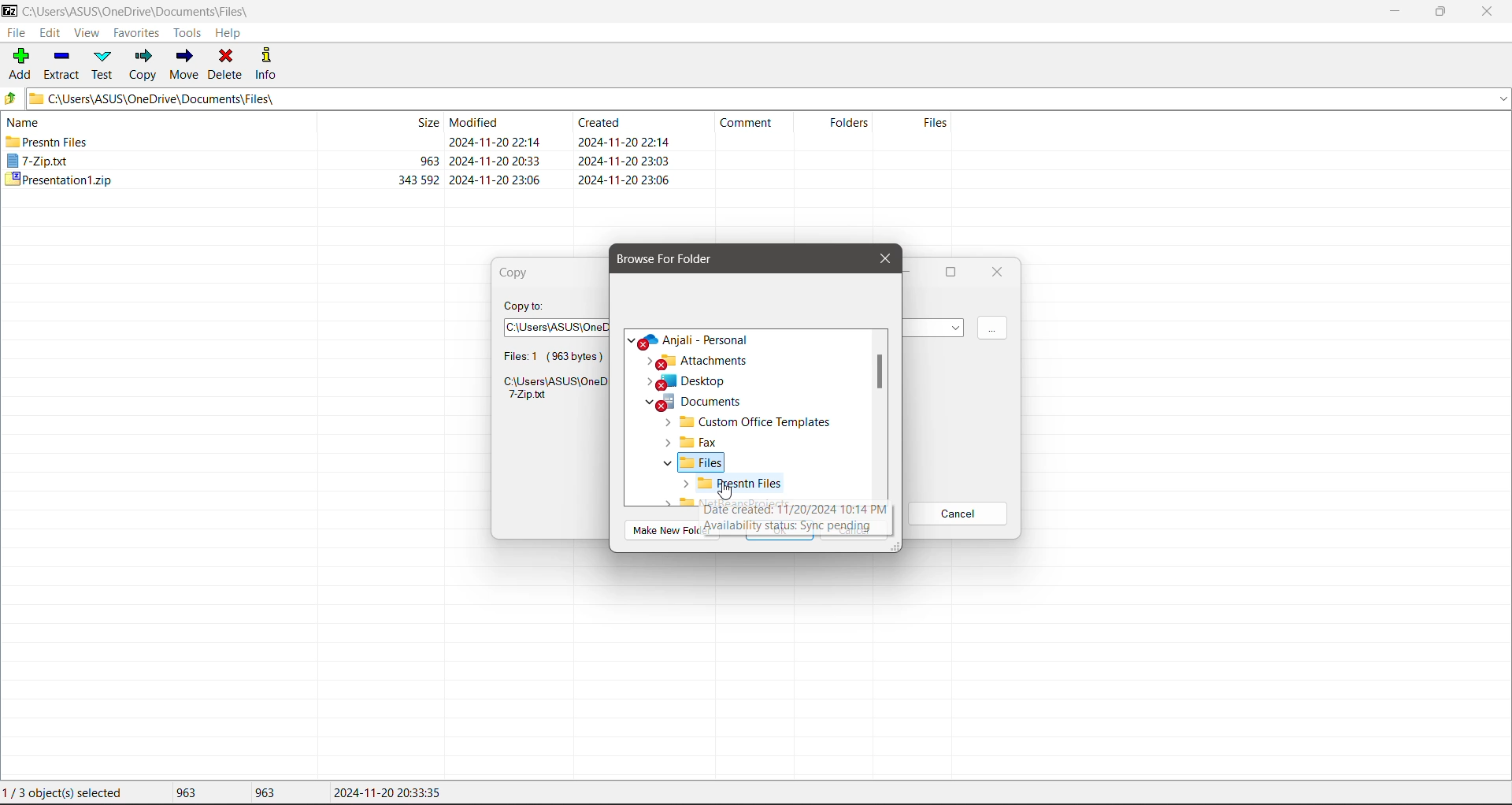 Image resolution: width=1512 pixels, height=805 pixels. Describe the element at coordinates (265, 792) in the screenshot. I see `Size of the last file selected` at that location.